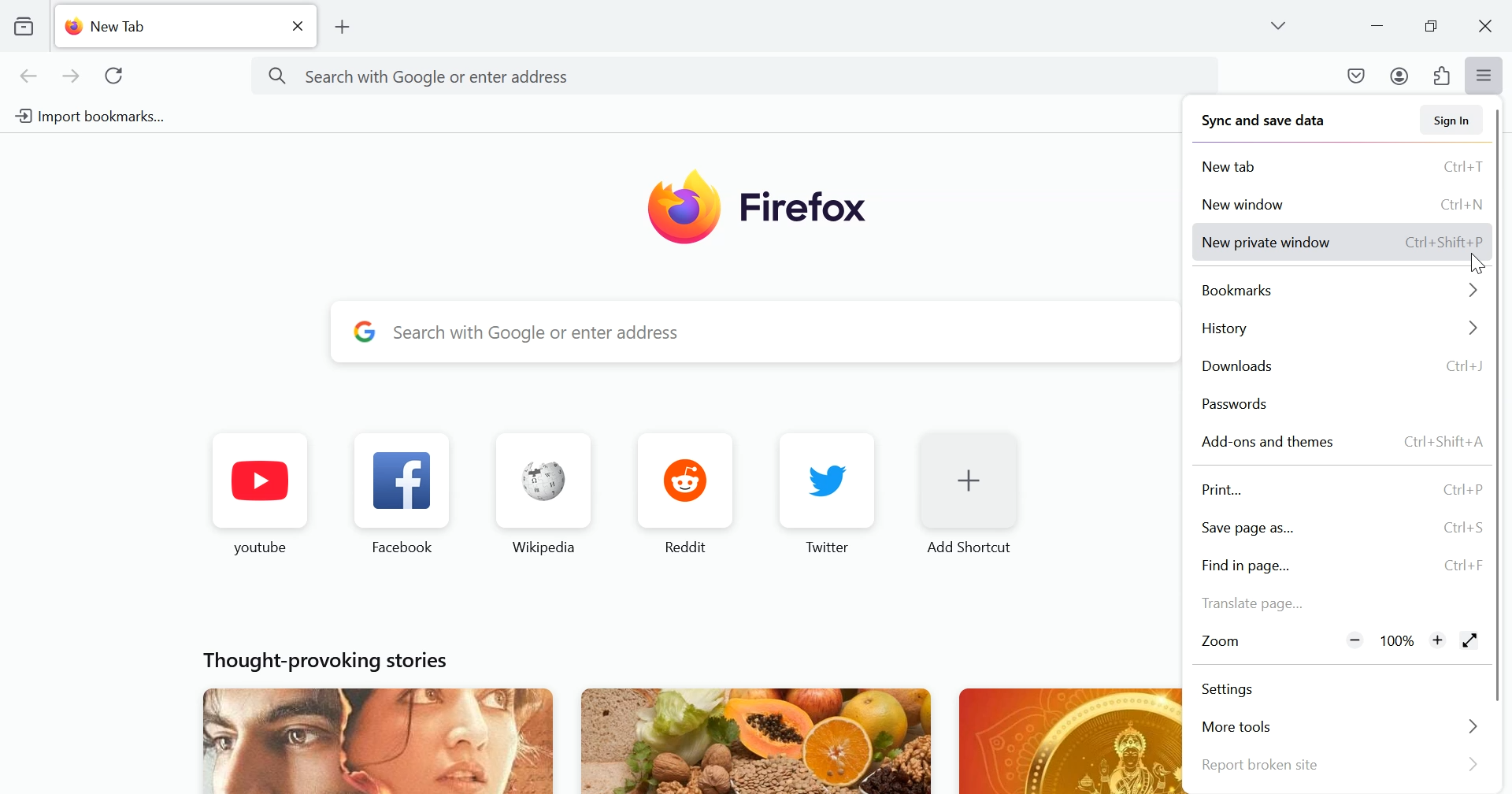  Describe the element at coordinates (1342, 165) in the screenshot. I see `new tab` at that location.